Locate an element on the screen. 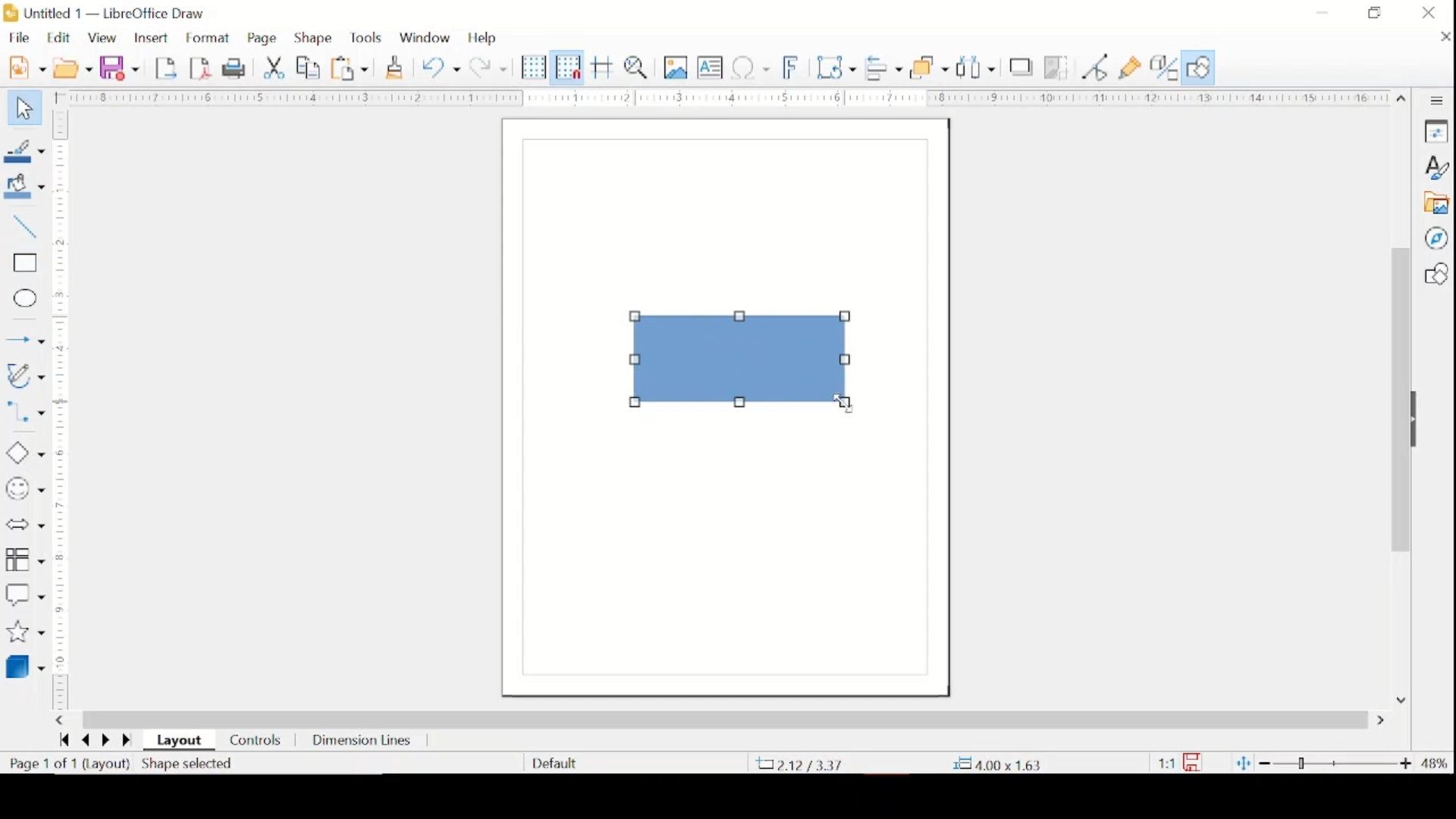  view is located at coordinates (104, 39).